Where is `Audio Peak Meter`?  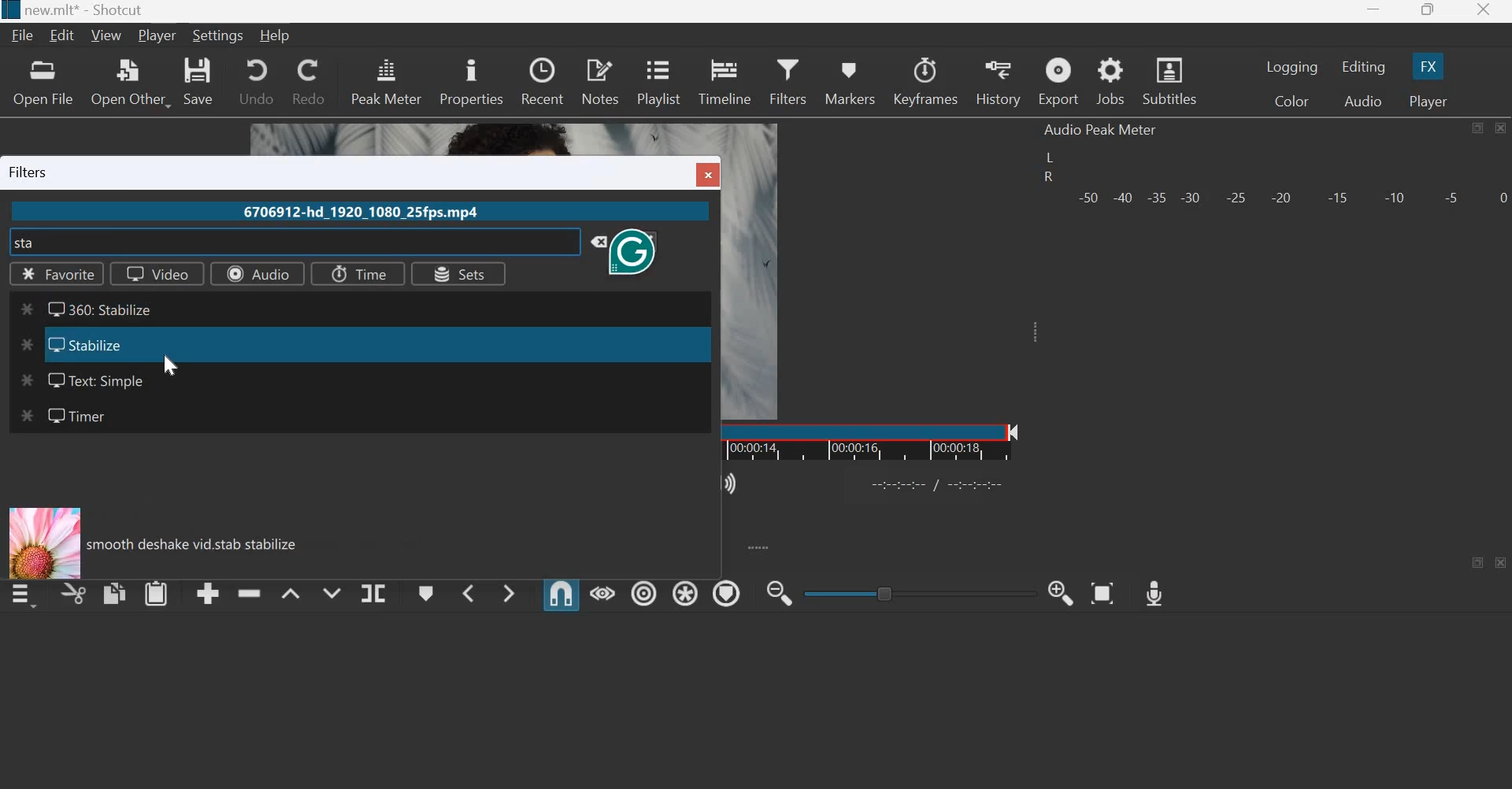 Audio Peak Meter is located at coordinates (1103, 130).